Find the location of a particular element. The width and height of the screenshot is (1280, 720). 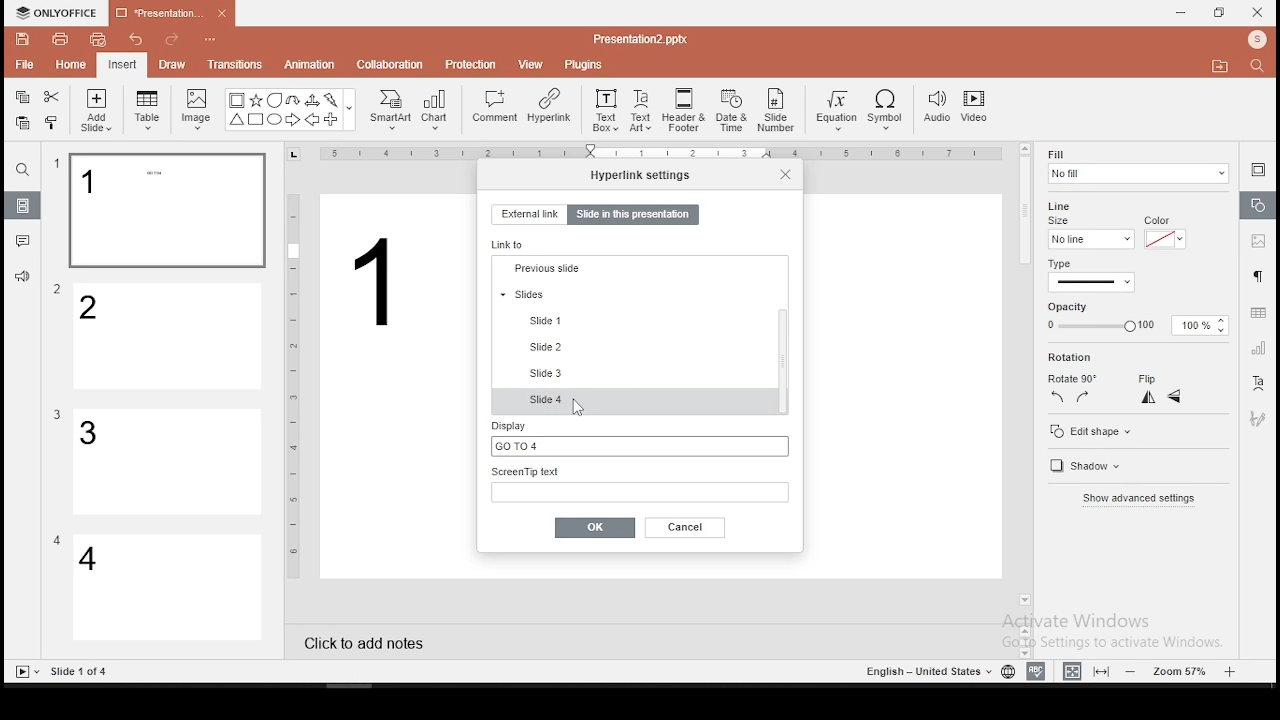

 is located at coordinates (926, 672).